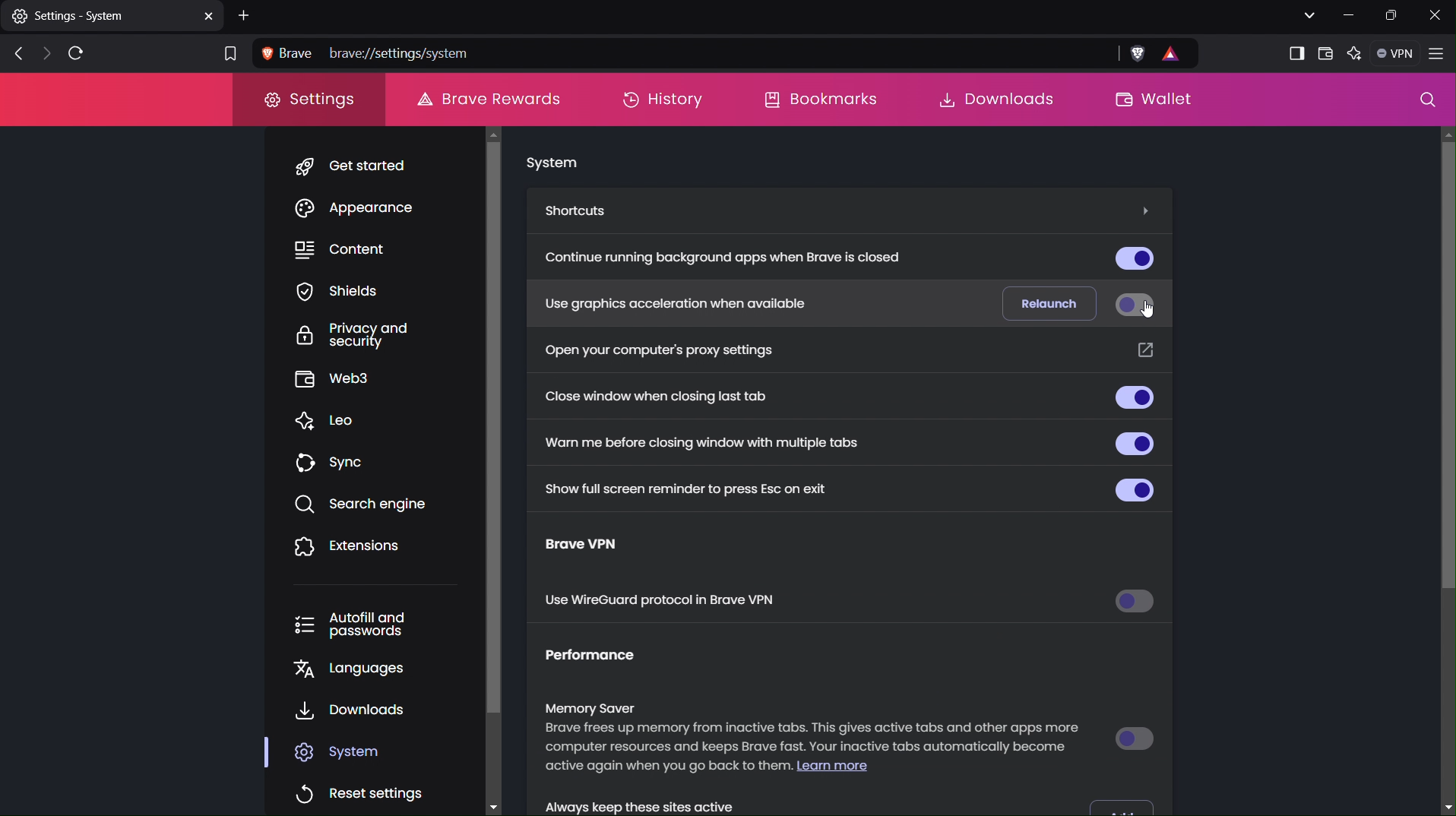 This screenshot has width=1456, height=816. I want to click on Web3, so click(357, 381).